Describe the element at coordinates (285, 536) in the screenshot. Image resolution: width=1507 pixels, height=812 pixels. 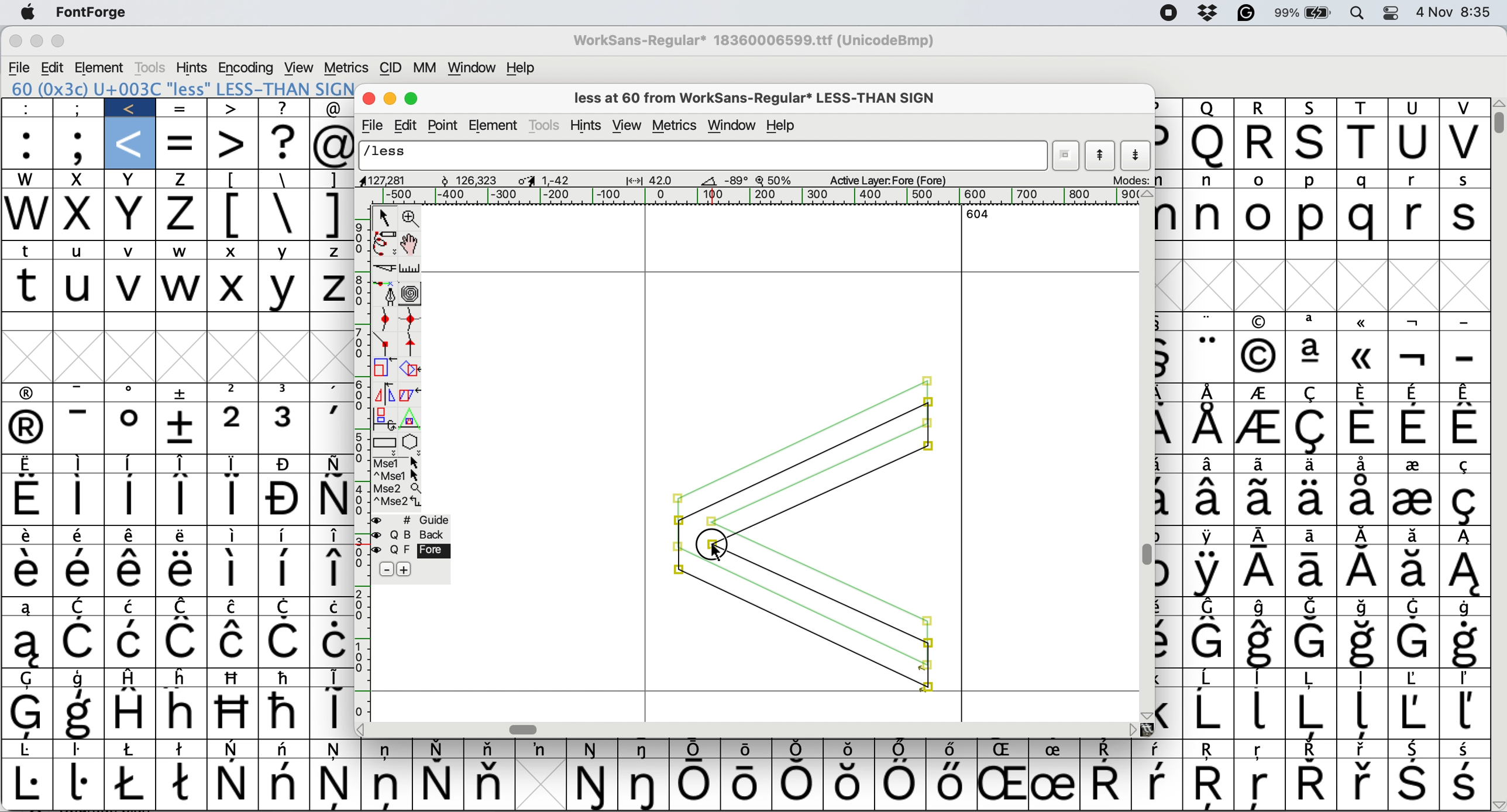
I see `Symbol` at that location.